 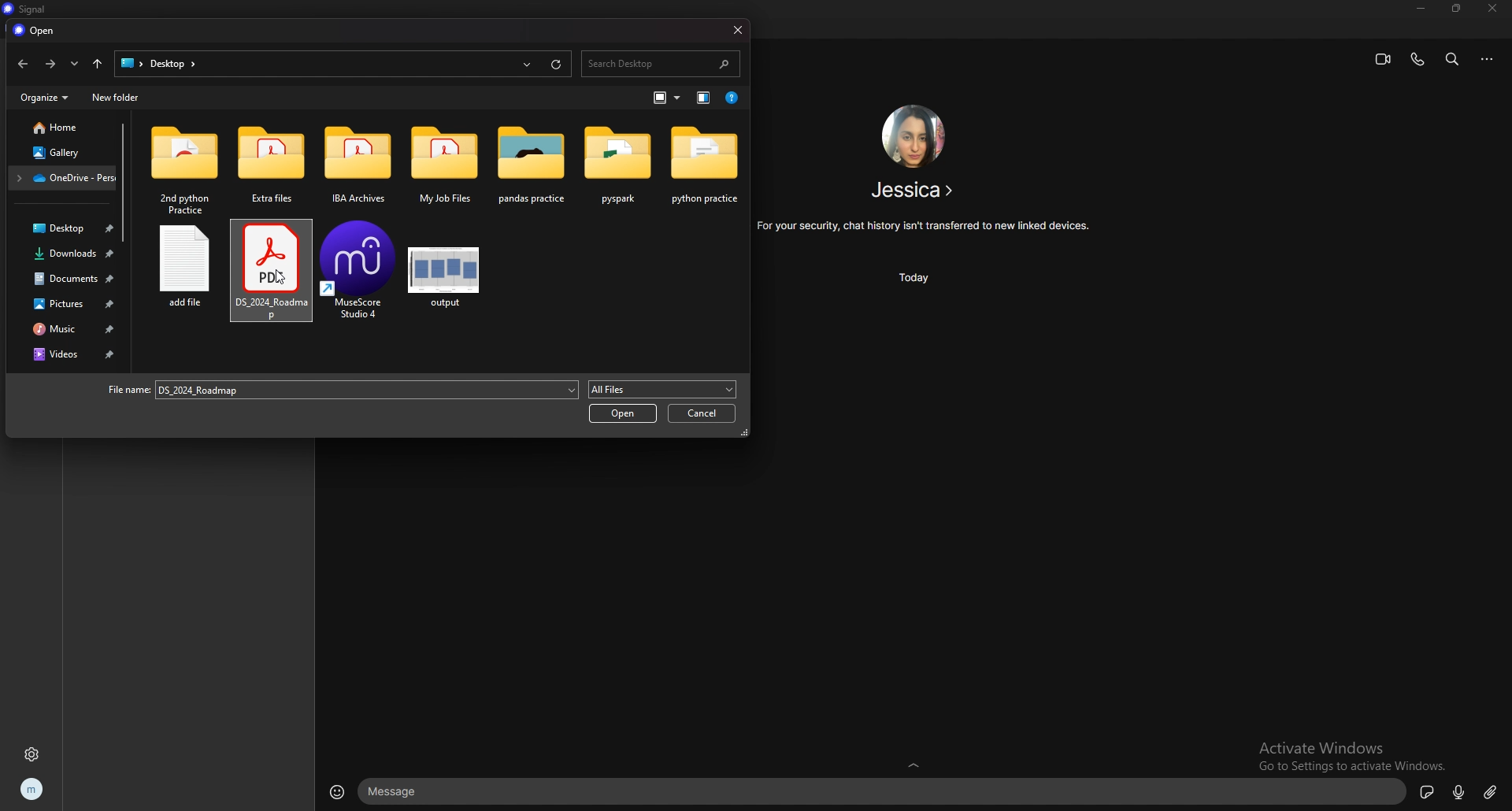 What do you see at coordinates (618, 165) in the screenshot?
I see `folder` at bounding box center [618, 165].